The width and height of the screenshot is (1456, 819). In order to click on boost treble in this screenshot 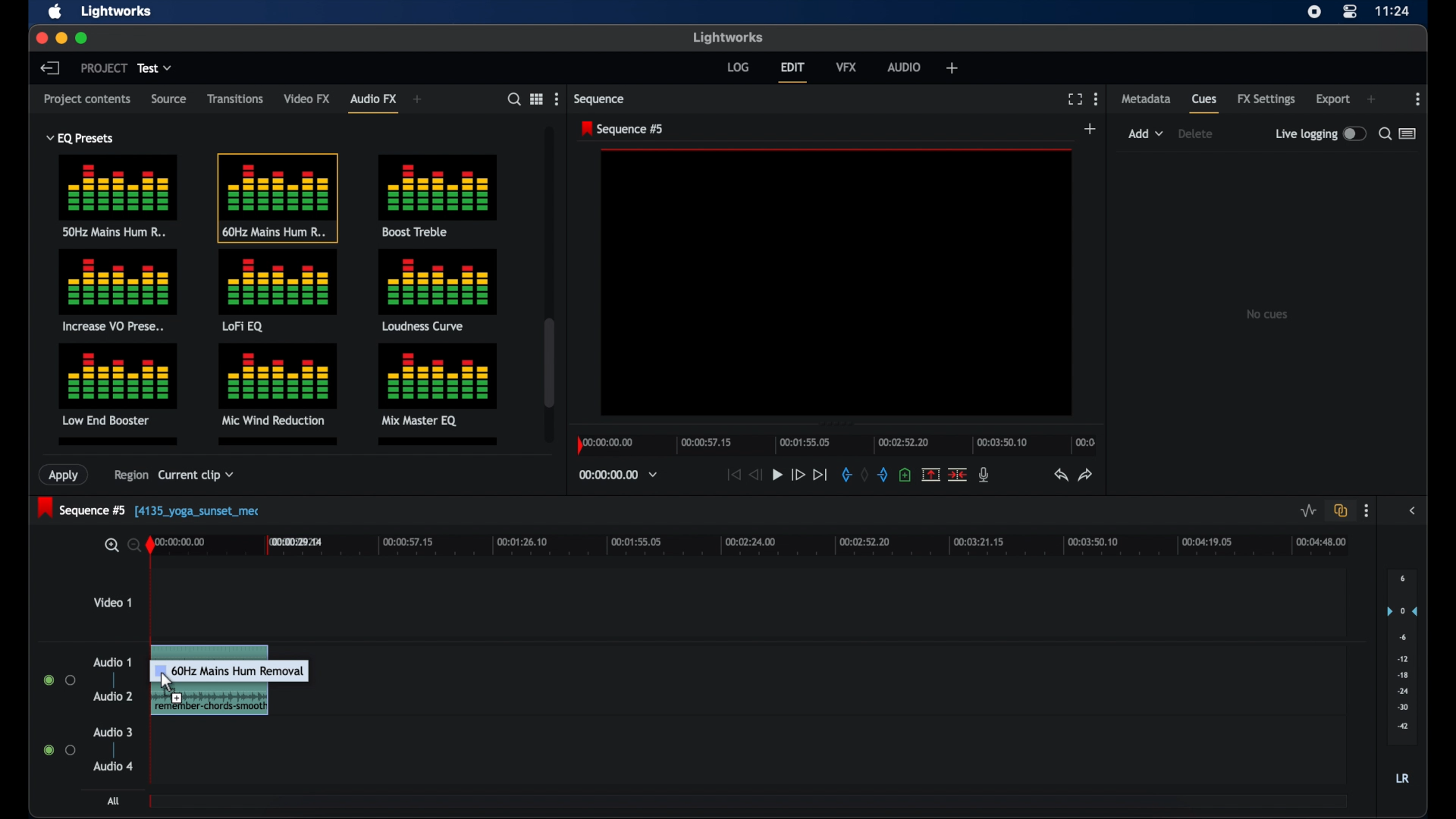, I will do `click(440, 194)`.